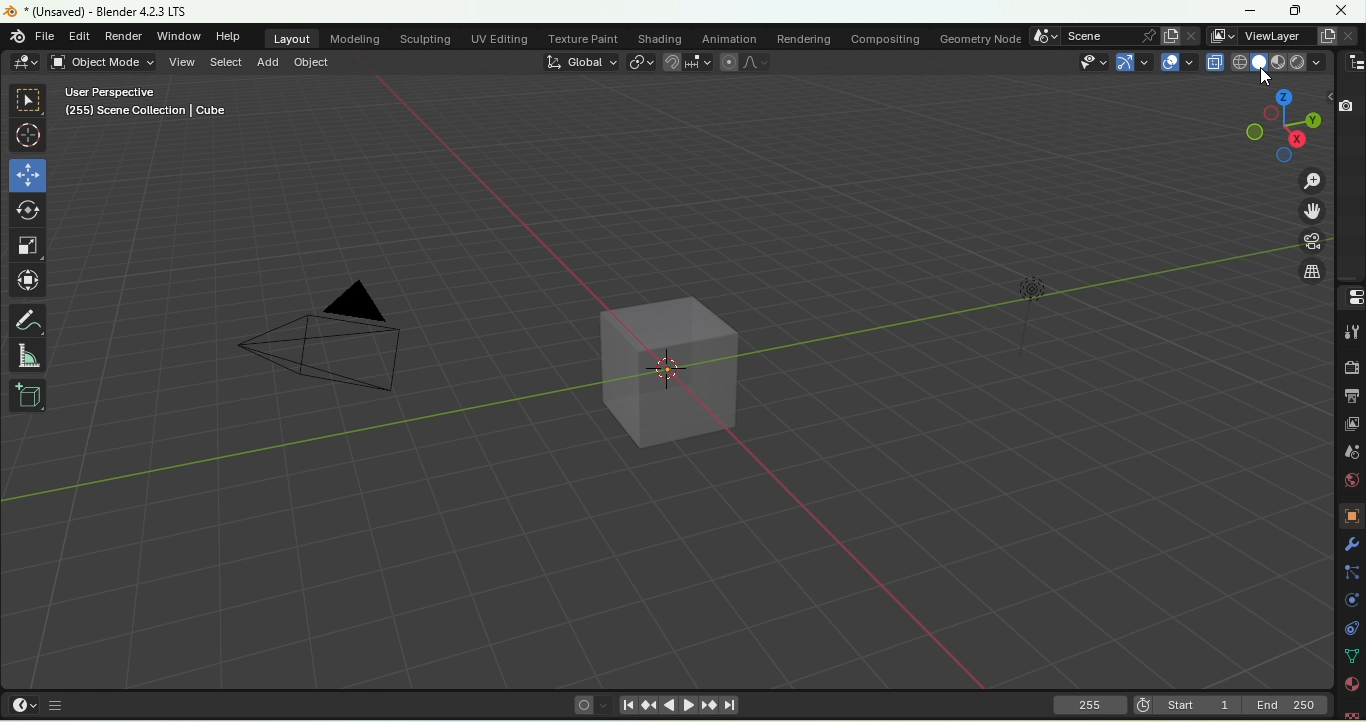  I want to click on Rendering, so click(802, 38).